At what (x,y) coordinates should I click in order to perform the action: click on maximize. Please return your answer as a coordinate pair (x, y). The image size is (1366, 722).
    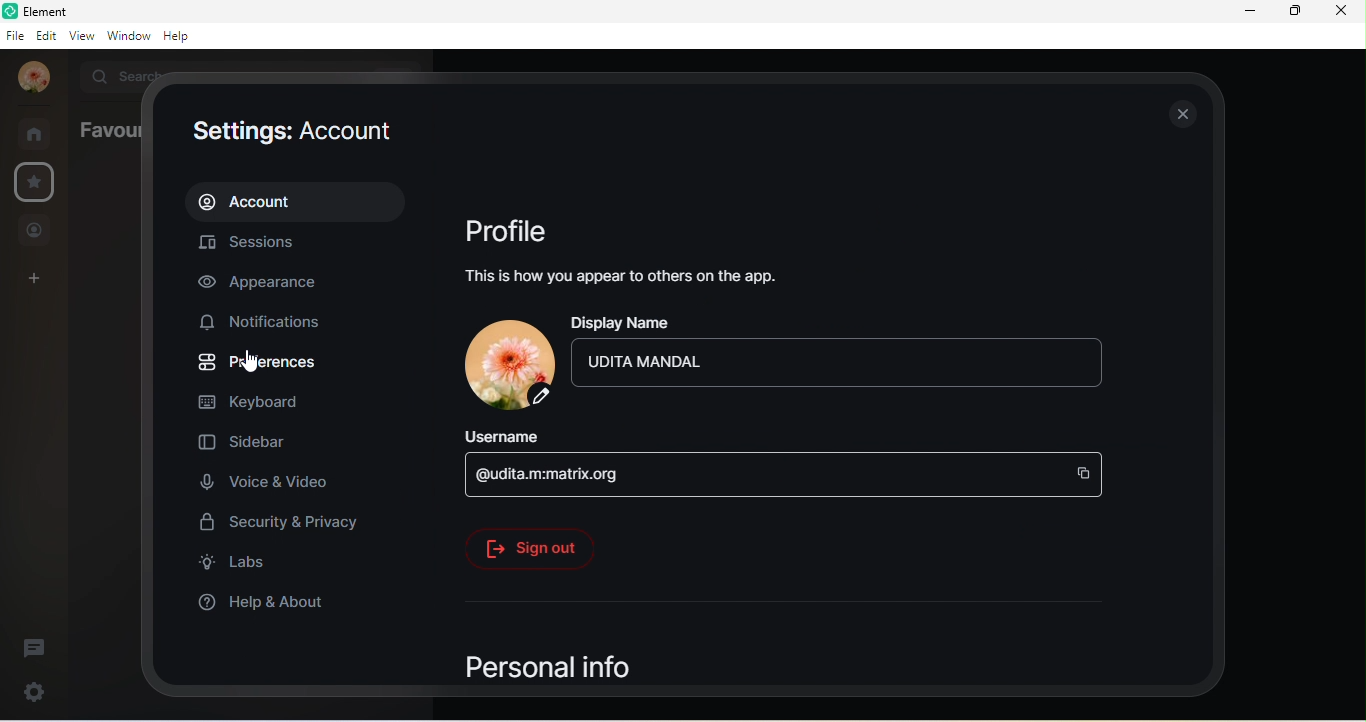
    Looking at the image, I should click on (1295, 14).